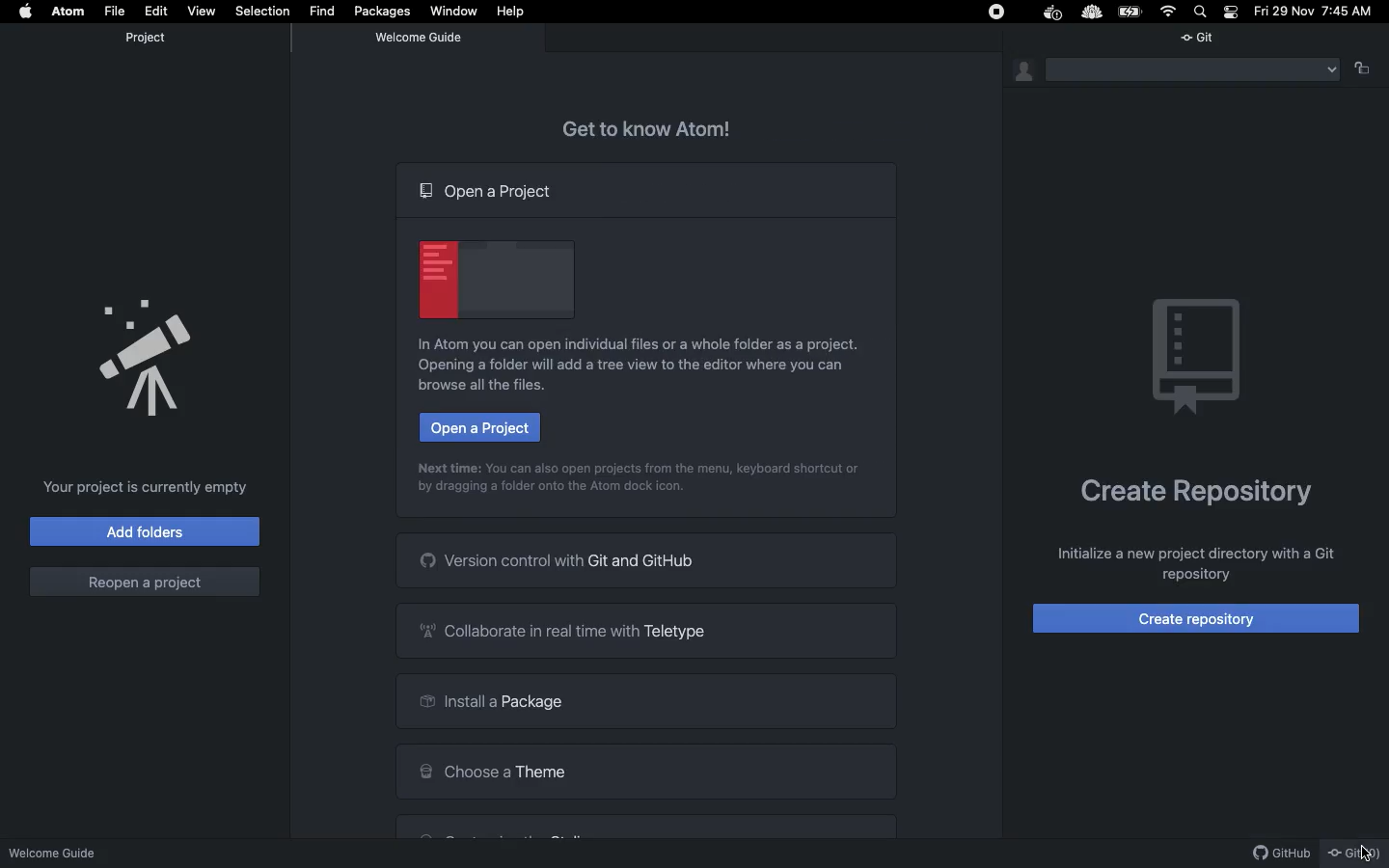  What do you see at coordinates (1131, 13) in the screenshot?
I see `Charge` at bounding box center [1131, 13].